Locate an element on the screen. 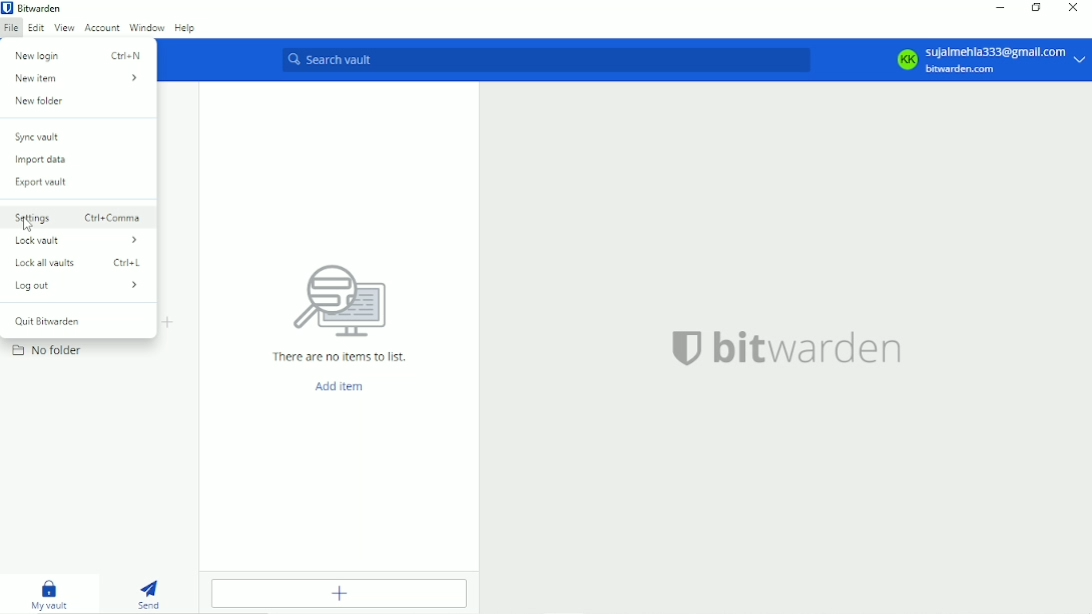 The width and height of the screenshot is (1092, 614). Sync vault is located at coordinates (36, 138).